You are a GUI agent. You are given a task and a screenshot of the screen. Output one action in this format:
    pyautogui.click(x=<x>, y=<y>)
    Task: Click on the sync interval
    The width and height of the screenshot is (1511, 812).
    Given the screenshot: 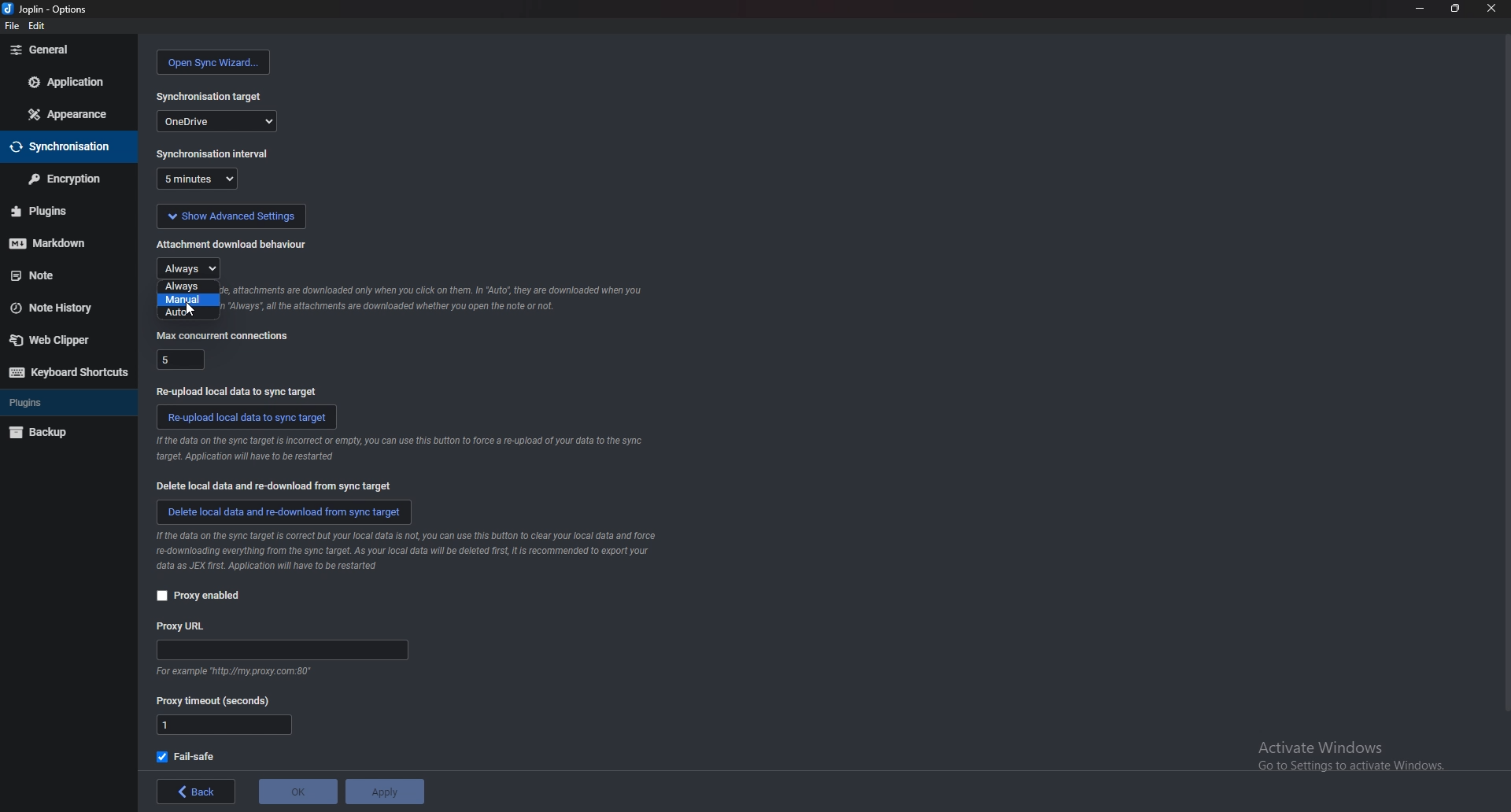 What is the action you would take?
    pyautogui.click(x=215, y=153)
    